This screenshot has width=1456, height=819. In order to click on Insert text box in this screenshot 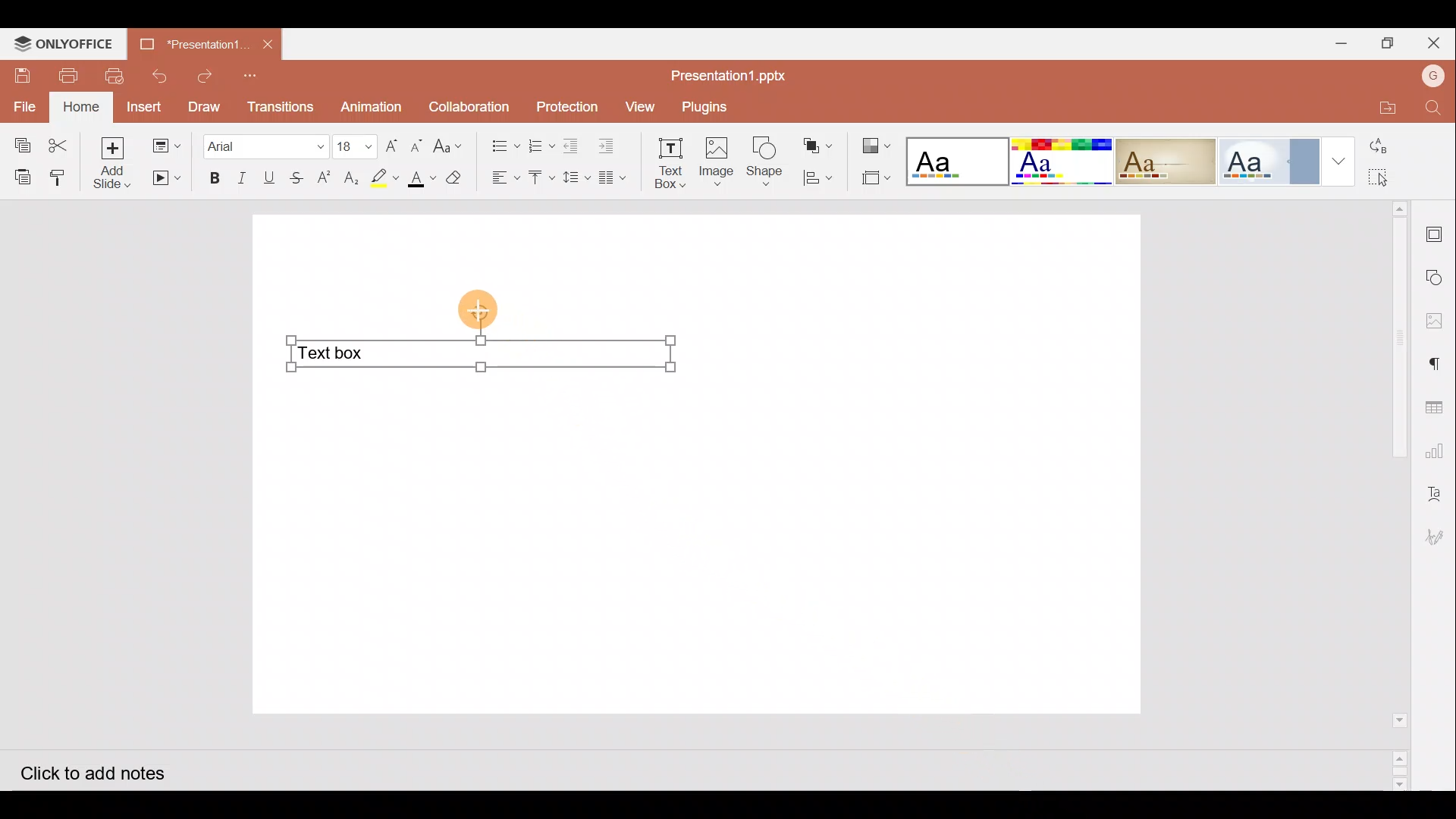, I will do `click(667, 163)`.